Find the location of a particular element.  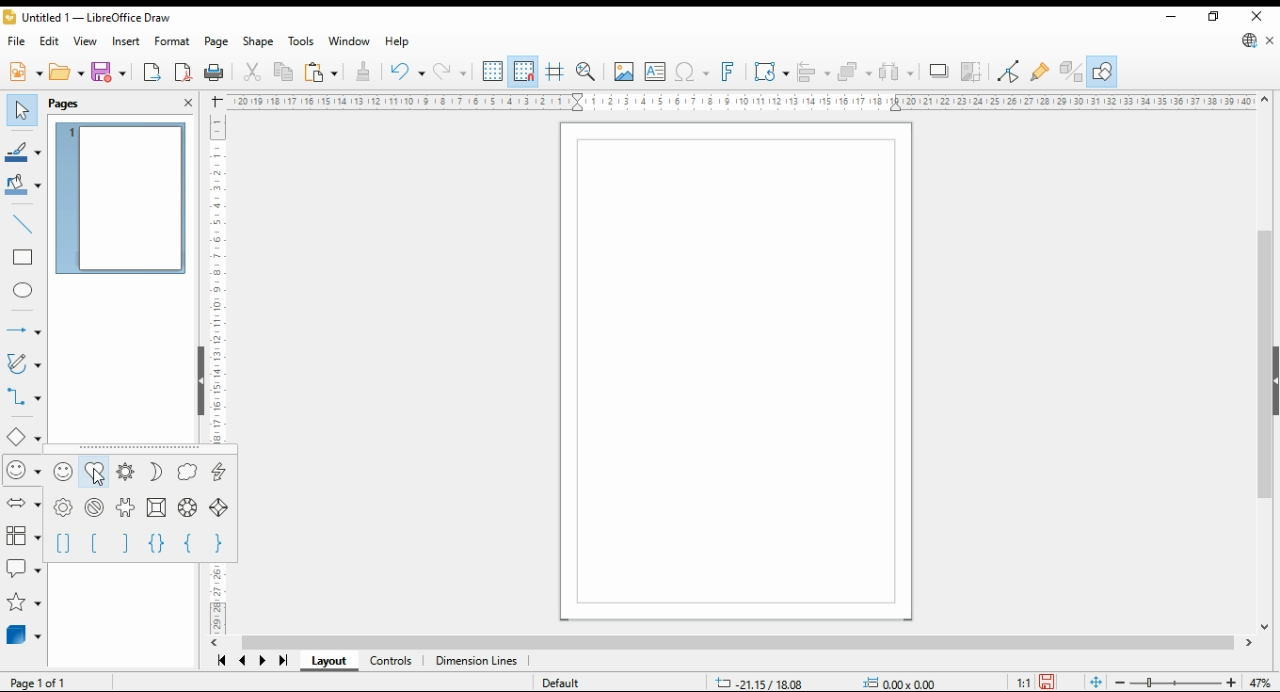

view is located at coordinates (86, 41).